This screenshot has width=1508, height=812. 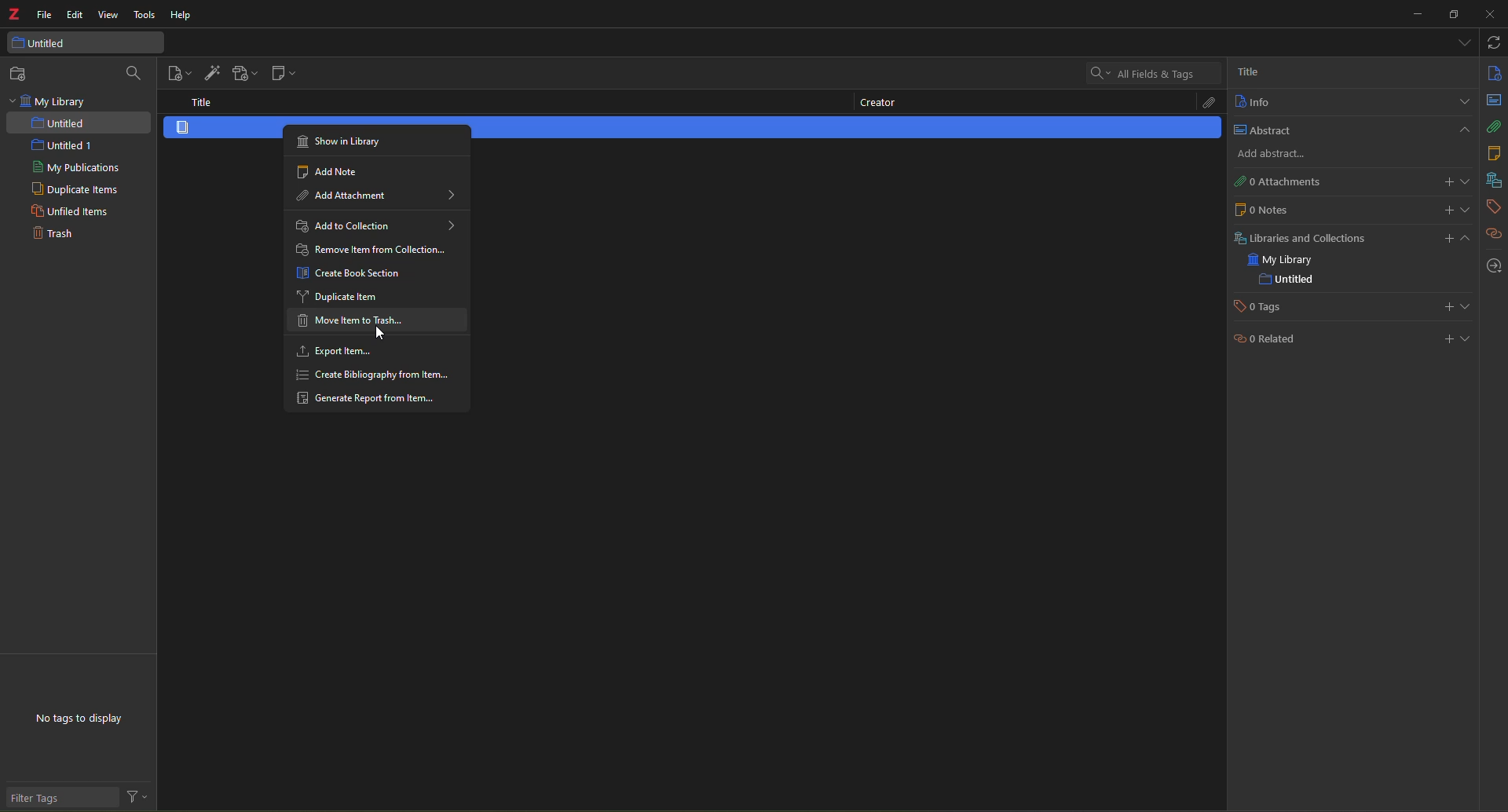 I want to click on close, so click(x=1488, y=15).